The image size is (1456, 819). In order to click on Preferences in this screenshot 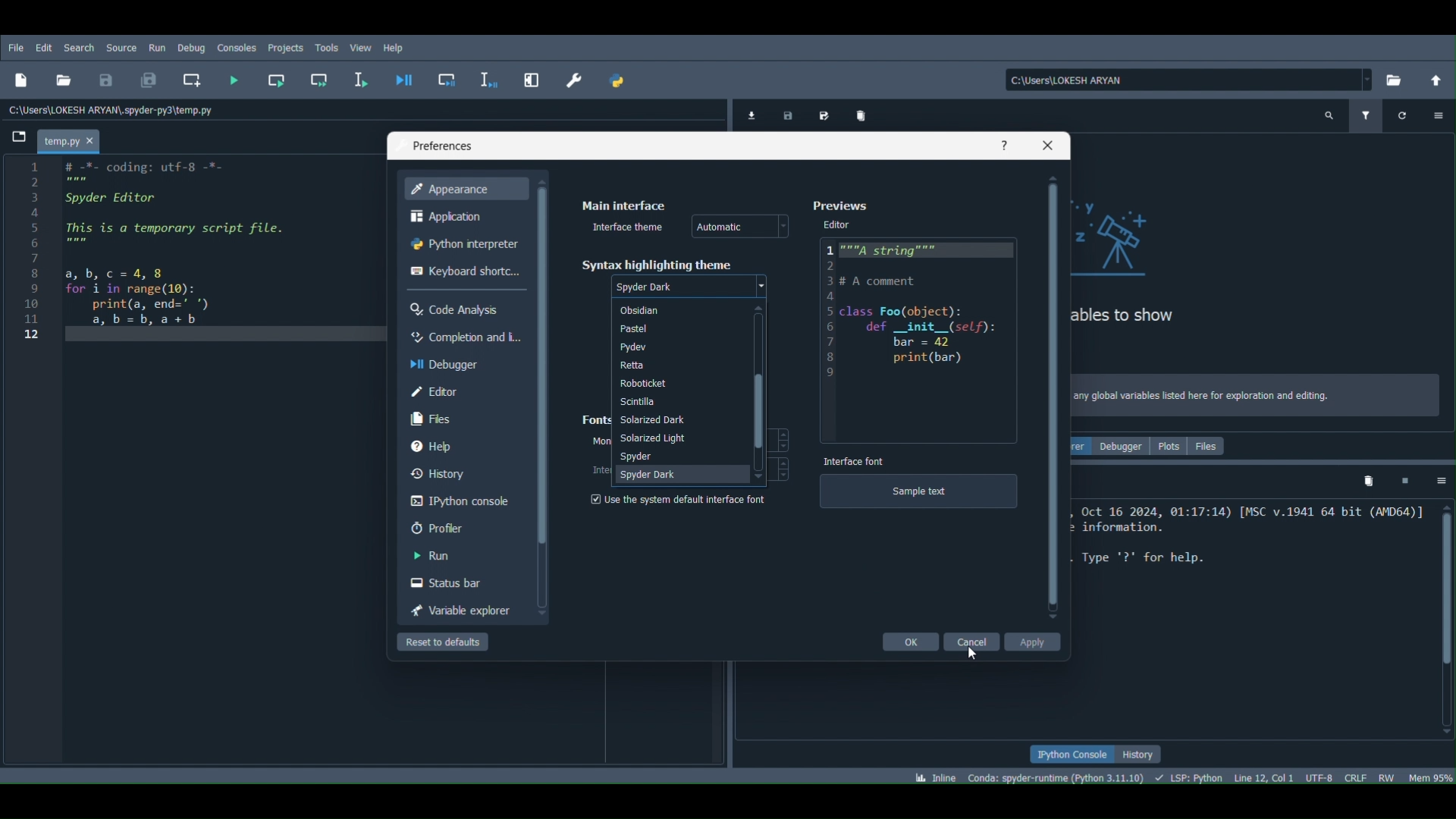, I will do `click(573, 79)`.